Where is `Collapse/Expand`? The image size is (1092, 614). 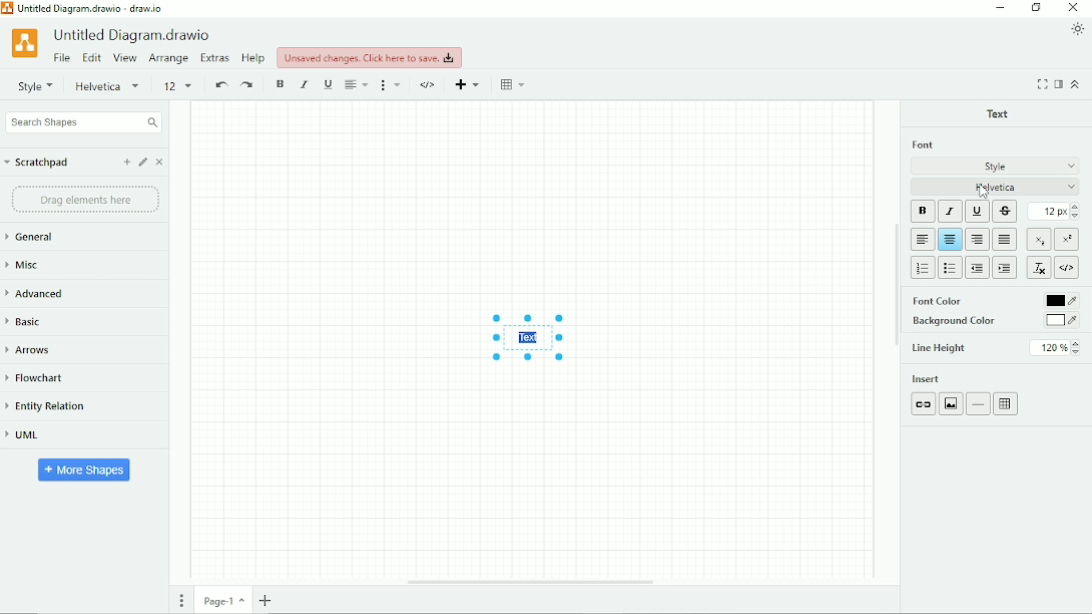 Collapse/Expand is located at coordinates (1077, 85).